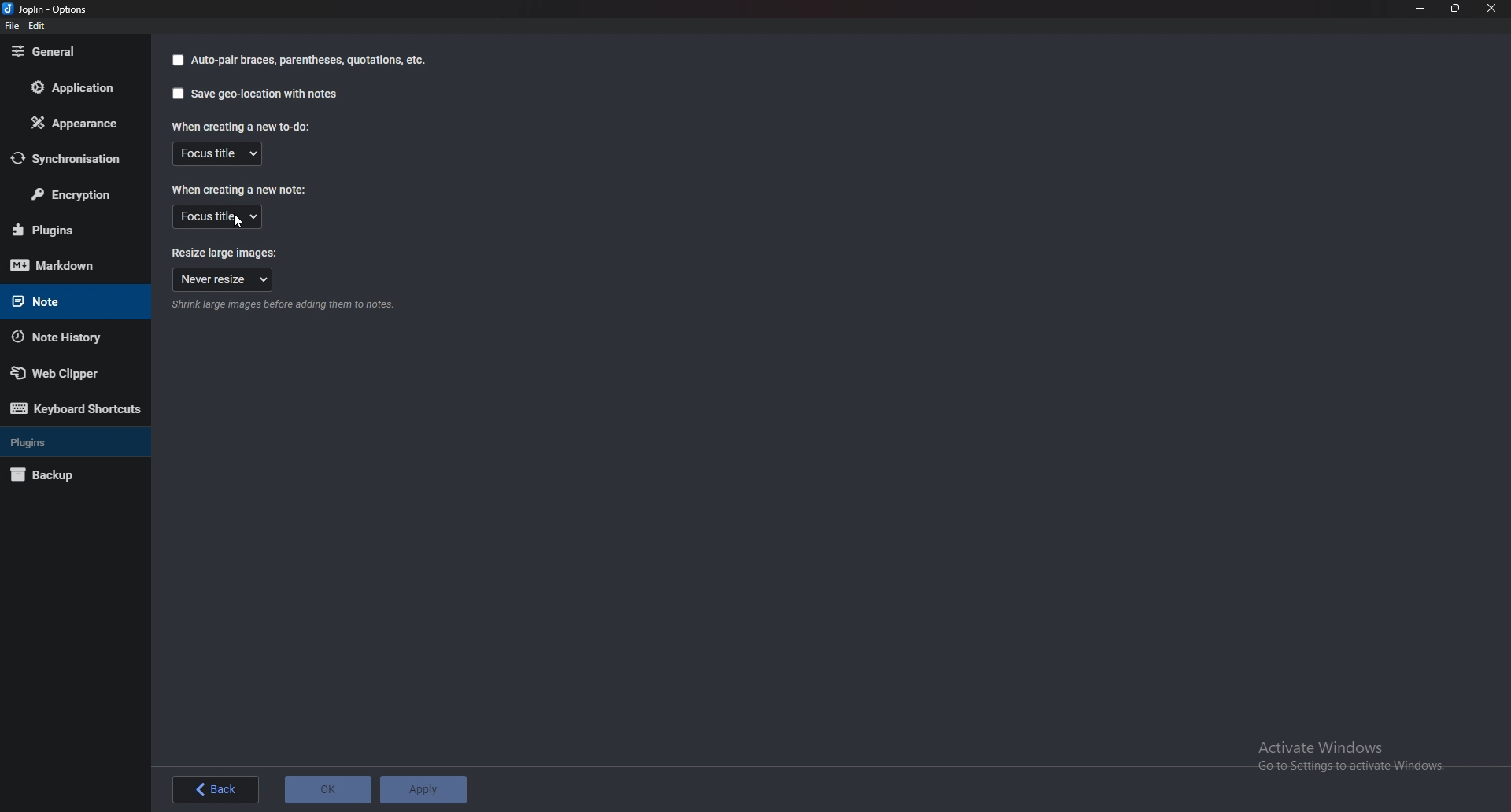 The image size is (1511, 812). I want to click on Focus title, so click(217, 153).